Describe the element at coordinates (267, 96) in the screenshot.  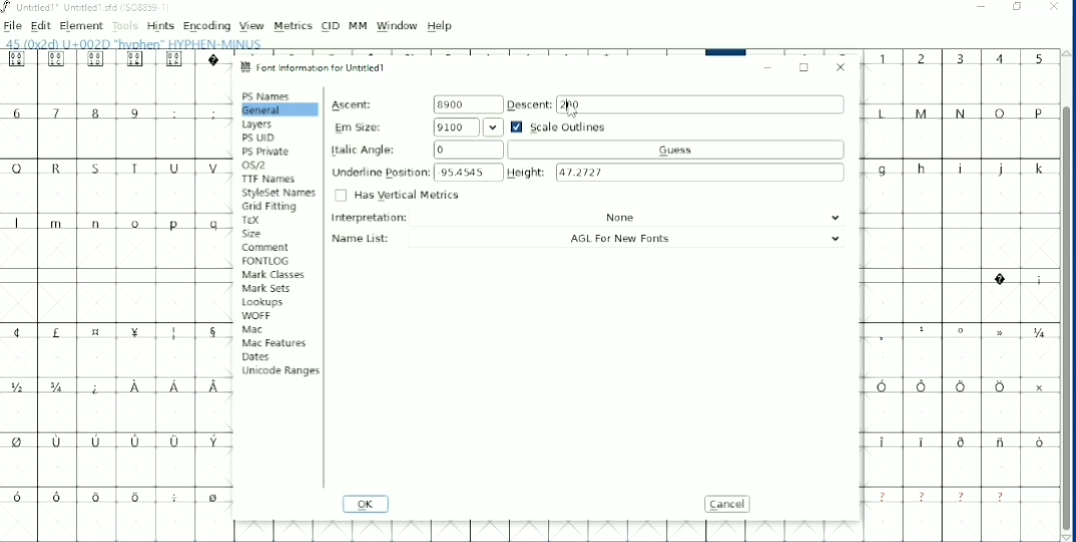
I see `PS Names` at that location.